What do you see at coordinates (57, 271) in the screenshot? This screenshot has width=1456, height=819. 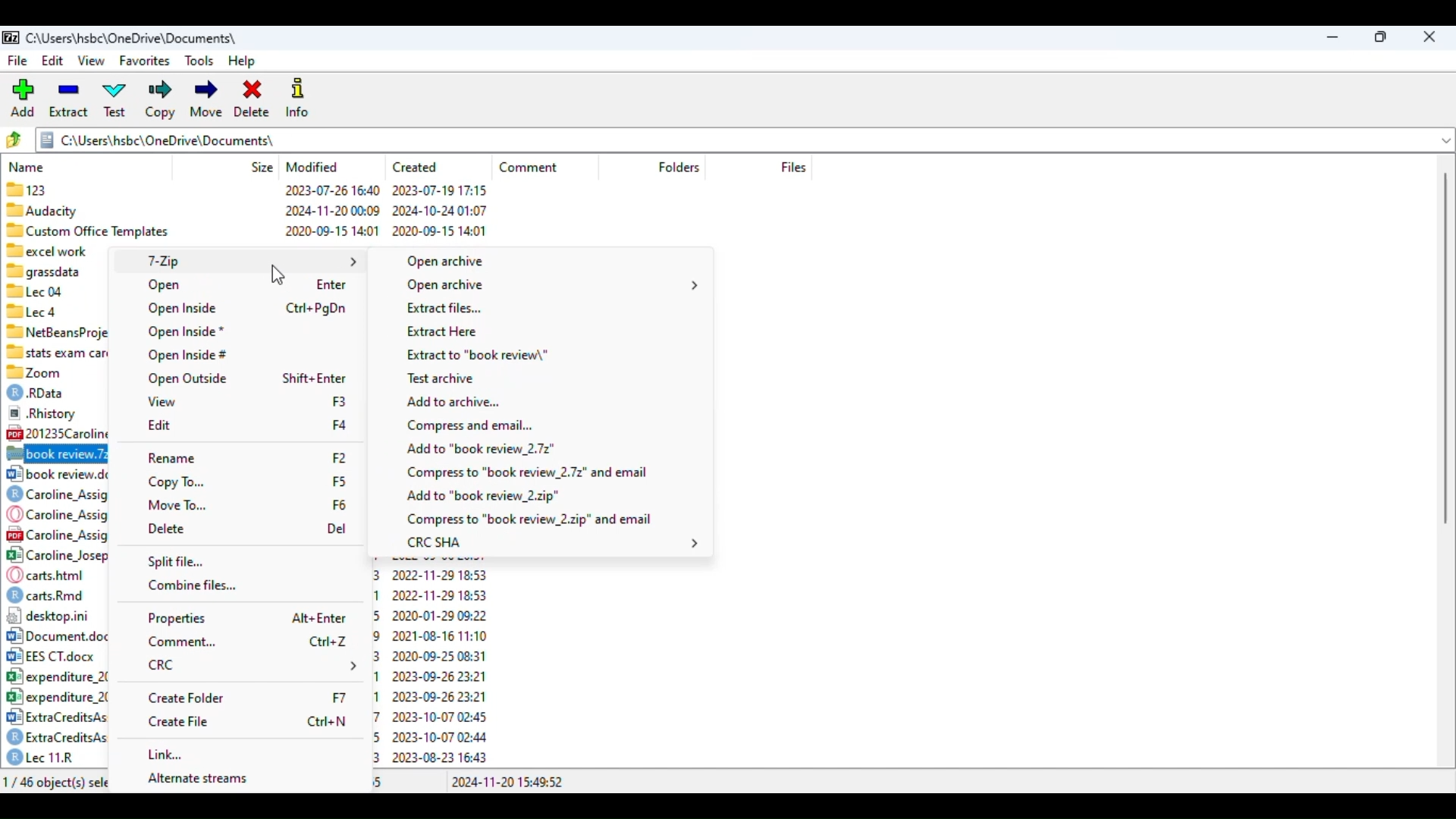 I see `7 grassdata 2024-10-25 15:50 2024-10-25 15:48` at bounding box center [57, 271].